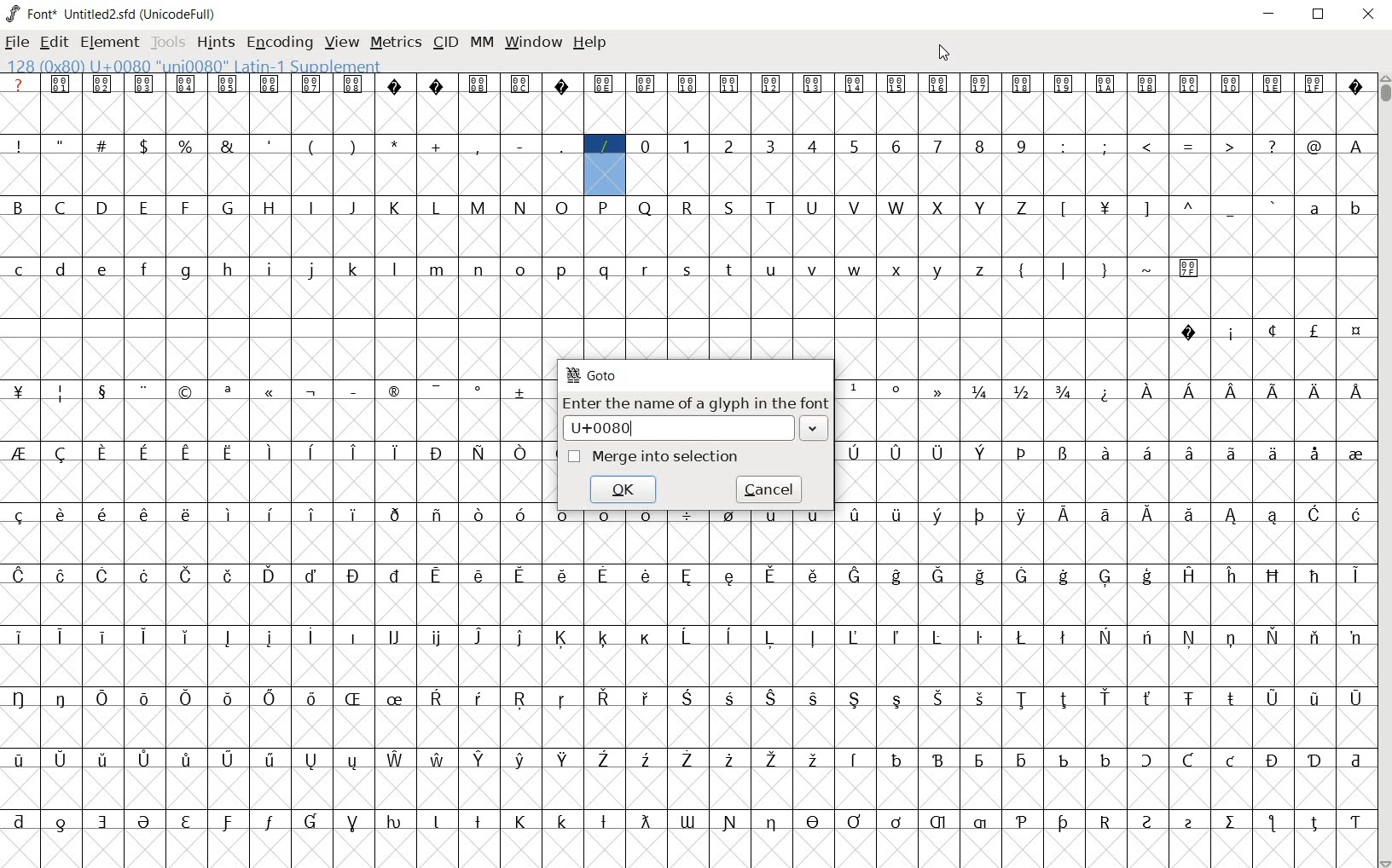  What do you see at coordinates (937, 146) in the screenshot?
I see `glyph` at bounding box center [937, 146].